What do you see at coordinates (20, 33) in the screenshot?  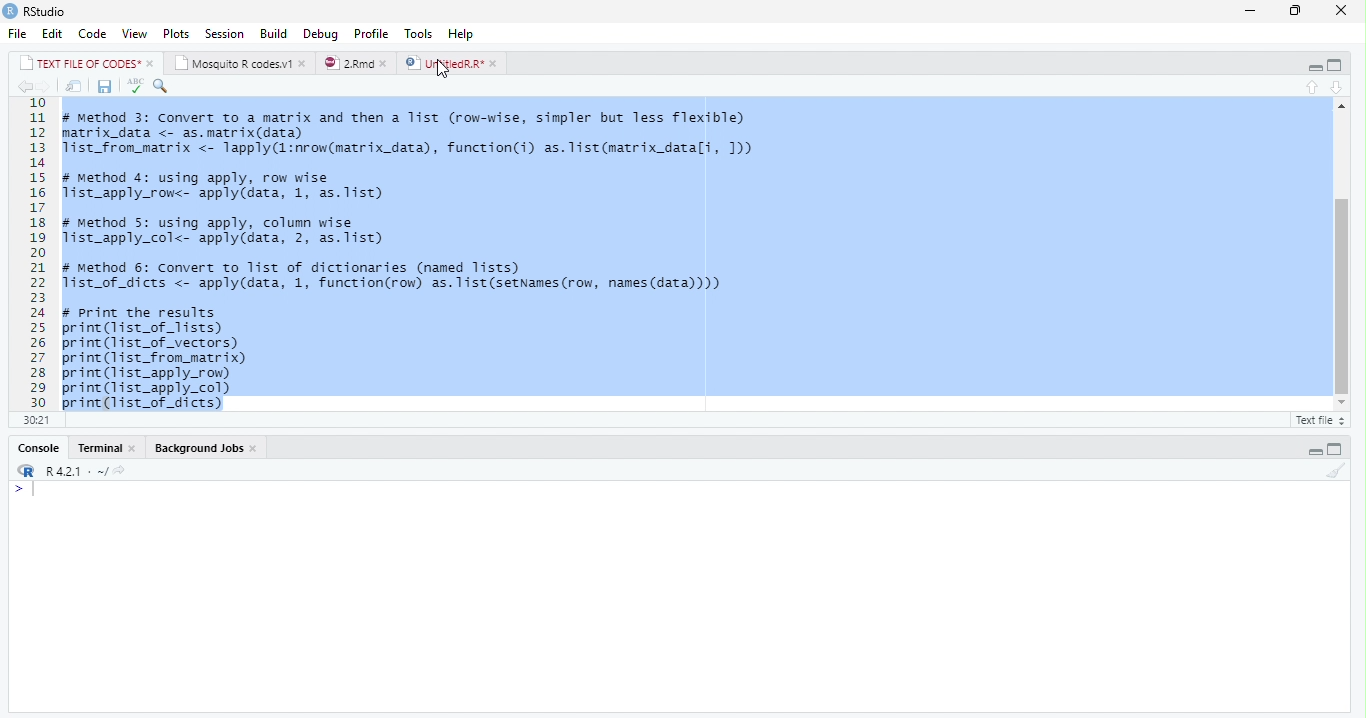 I see `File` at bounding box center [20, 33].